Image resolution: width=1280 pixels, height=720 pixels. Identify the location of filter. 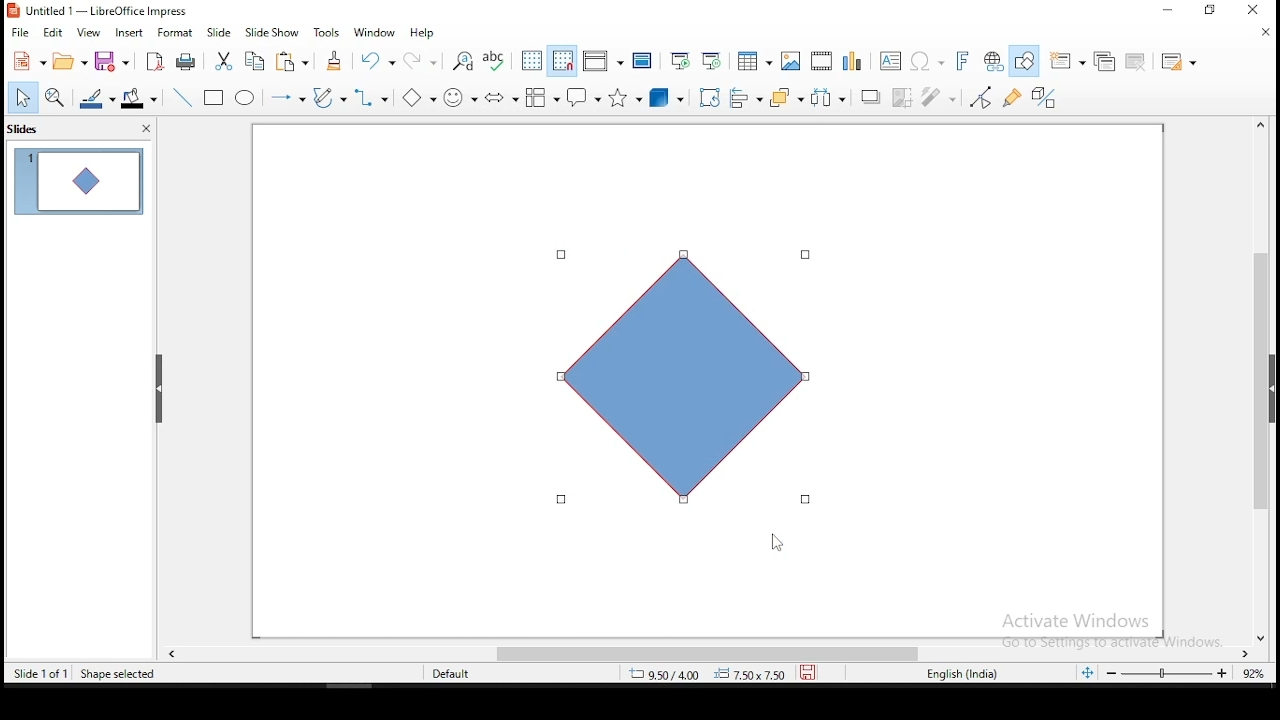
(941, 98).